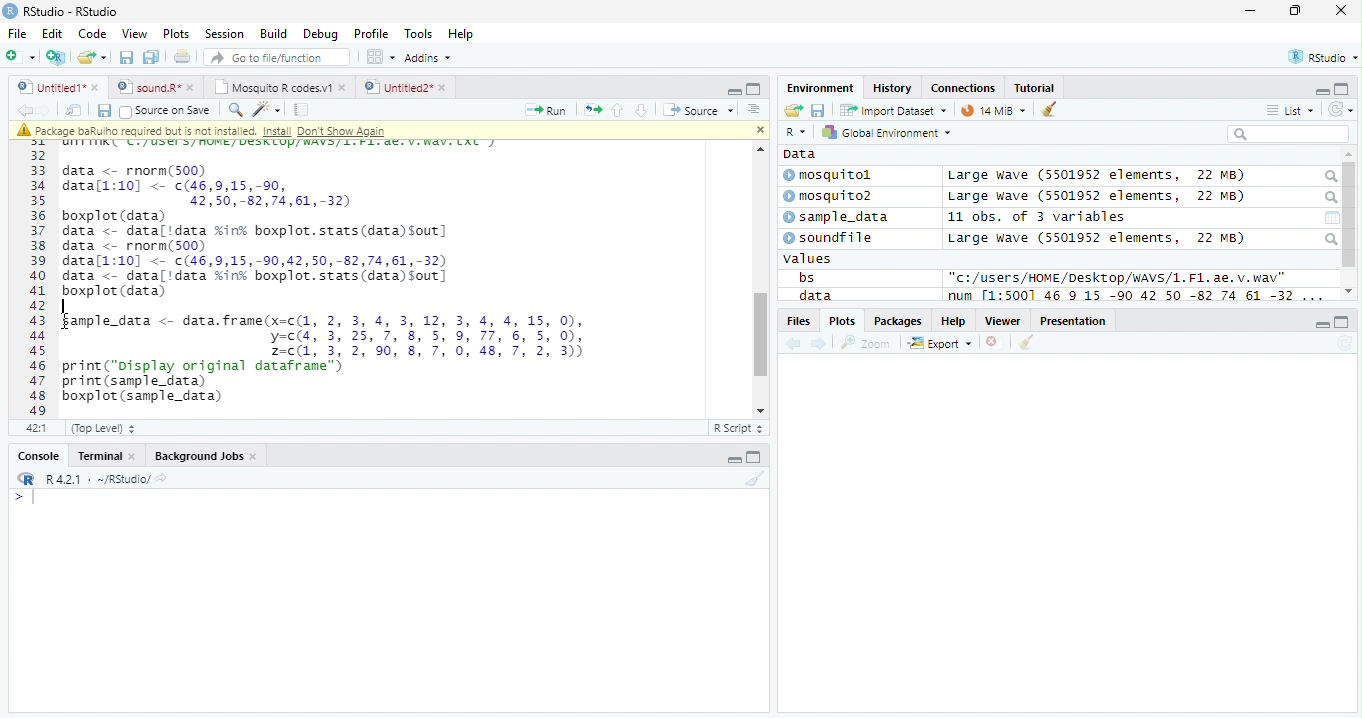 The image size is (1362, 718). Describe the element at coordinates (21, 57) in the screenshot. I see `new file` at that location.